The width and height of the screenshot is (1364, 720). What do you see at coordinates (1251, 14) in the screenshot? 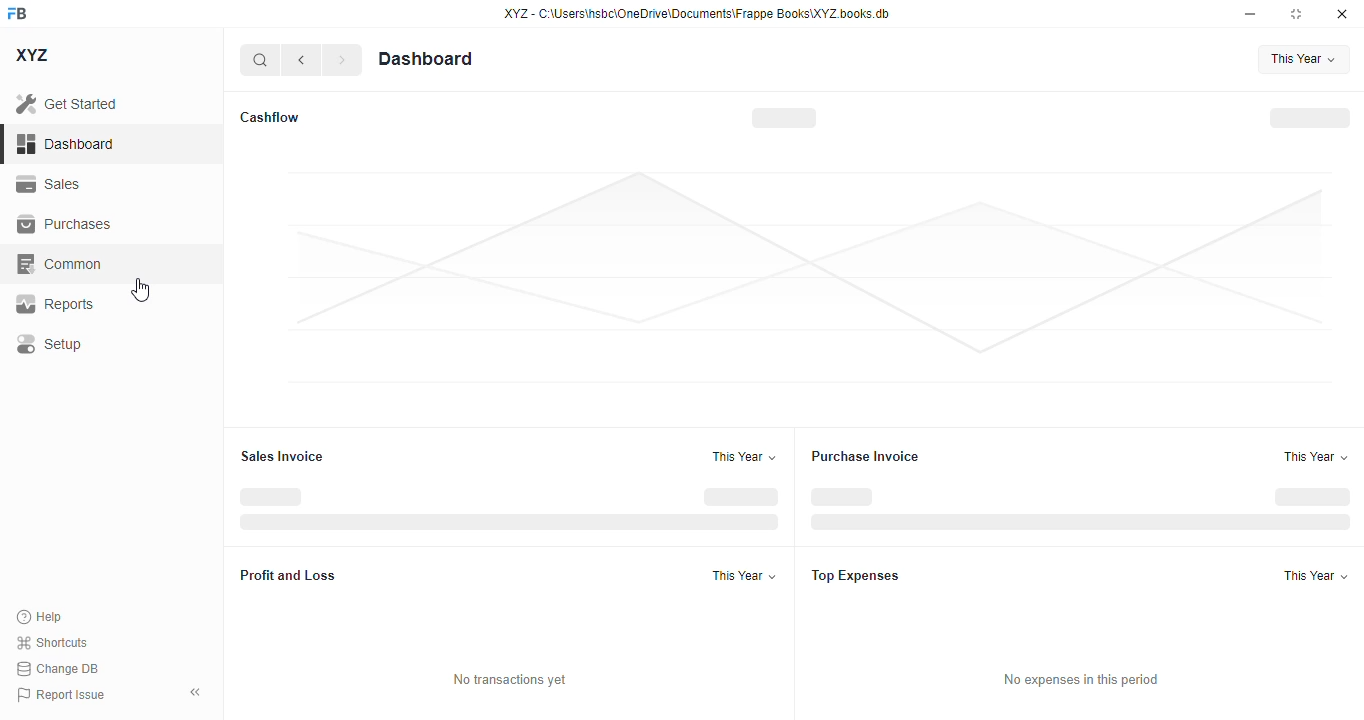
I see `minimize` at bounding box center [1251, 14].